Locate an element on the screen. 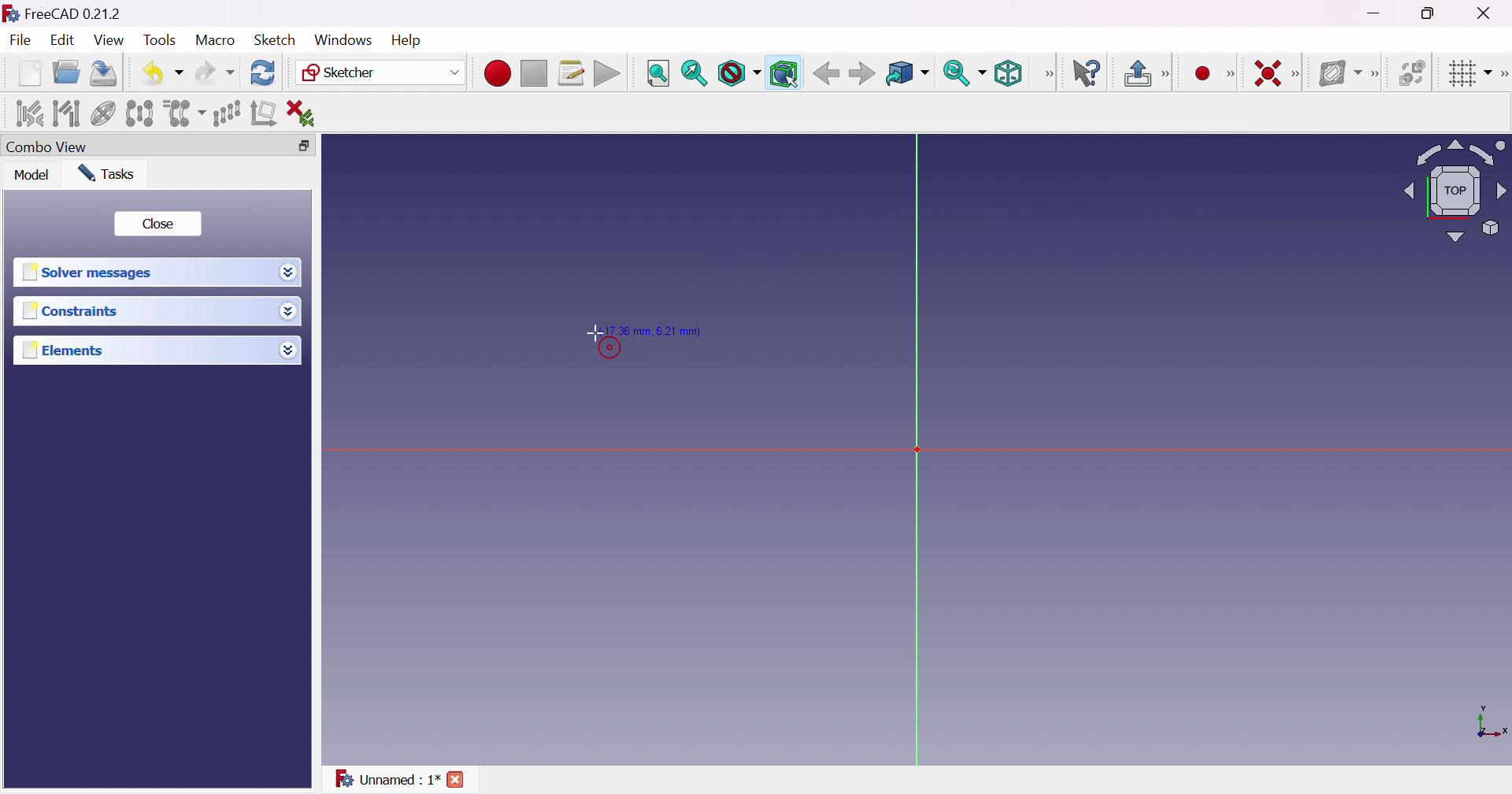 The image size is (1512, 794). Back is located at coordinates (825, 73).